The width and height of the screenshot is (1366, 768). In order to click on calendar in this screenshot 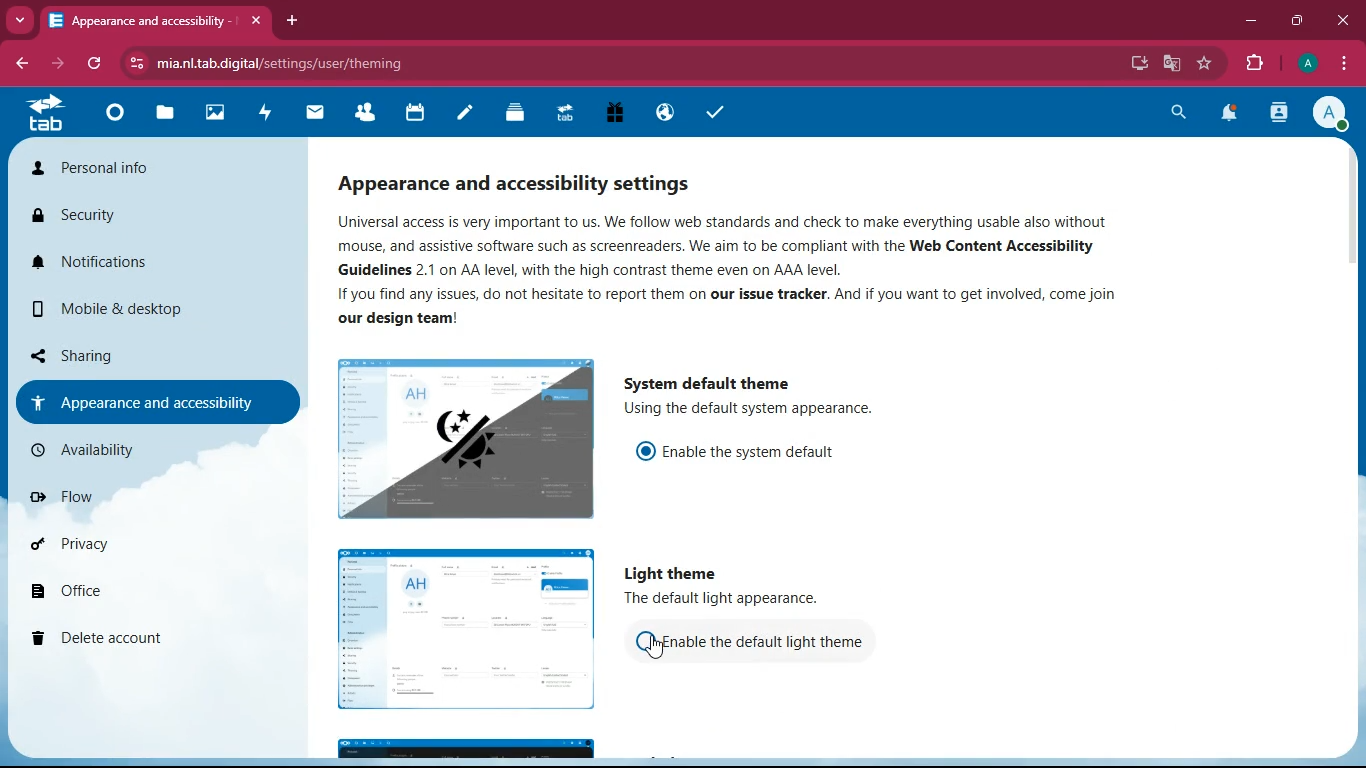, I will do `click(415, 114)`.